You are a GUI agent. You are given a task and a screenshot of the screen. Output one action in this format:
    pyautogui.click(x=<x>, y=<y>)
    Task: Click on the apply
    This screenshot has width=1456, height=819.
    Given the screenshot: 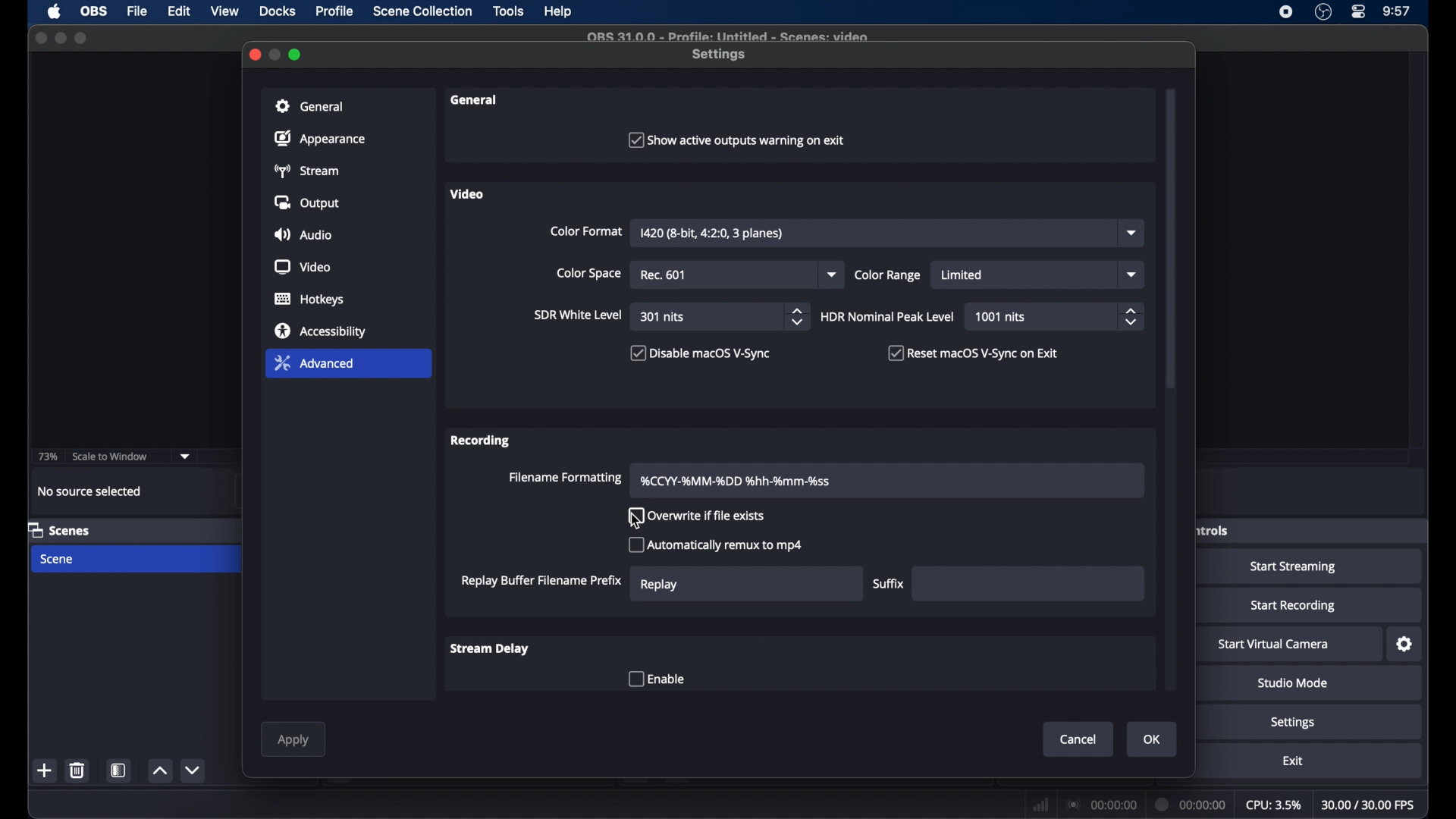 What is the action you would take?
    pyautogui.click(x=293, y=742)
    